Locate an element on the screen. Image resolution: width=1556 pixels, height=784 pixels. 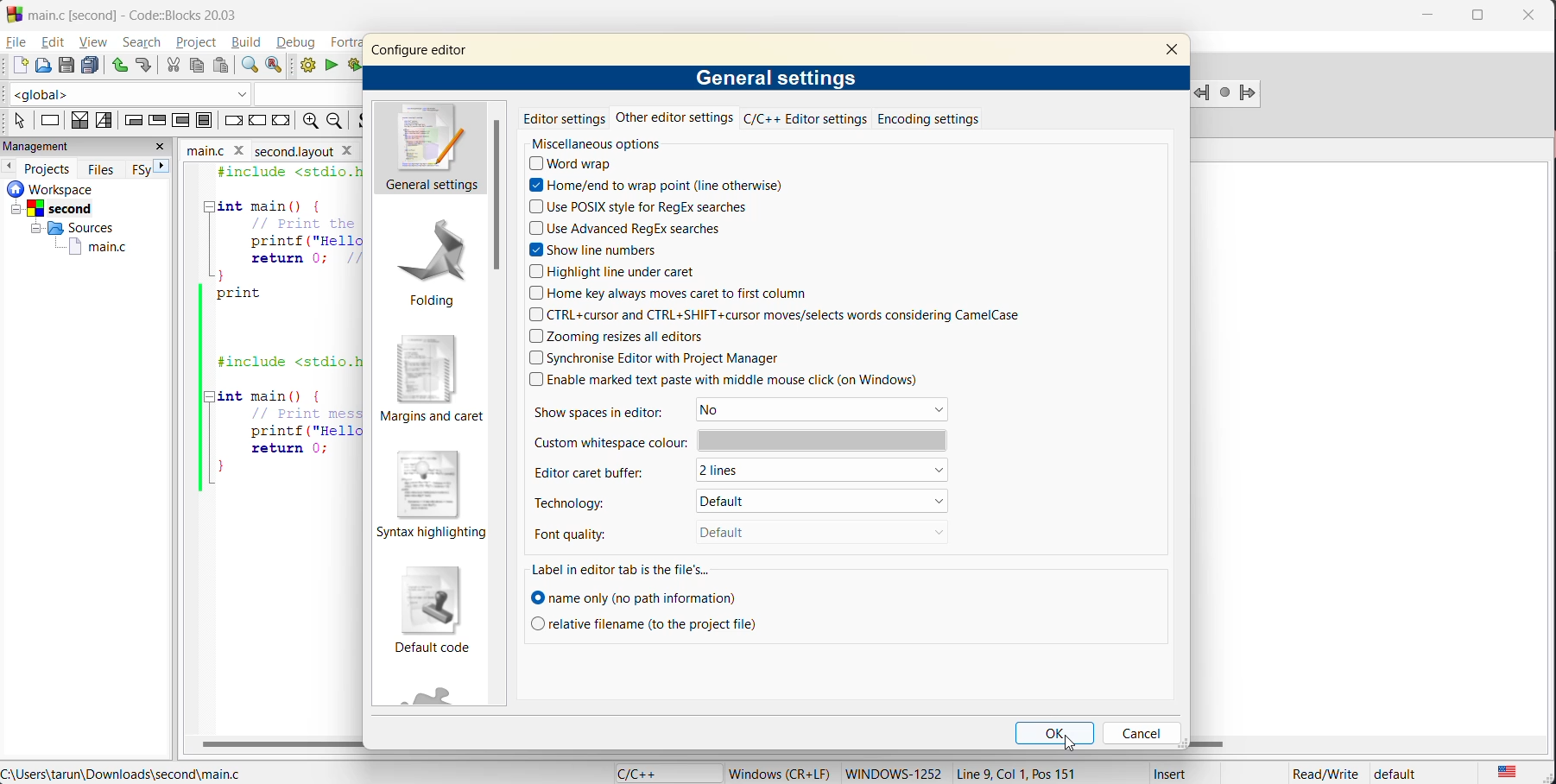
editor caret buffer is located at coordinates (599, 473).